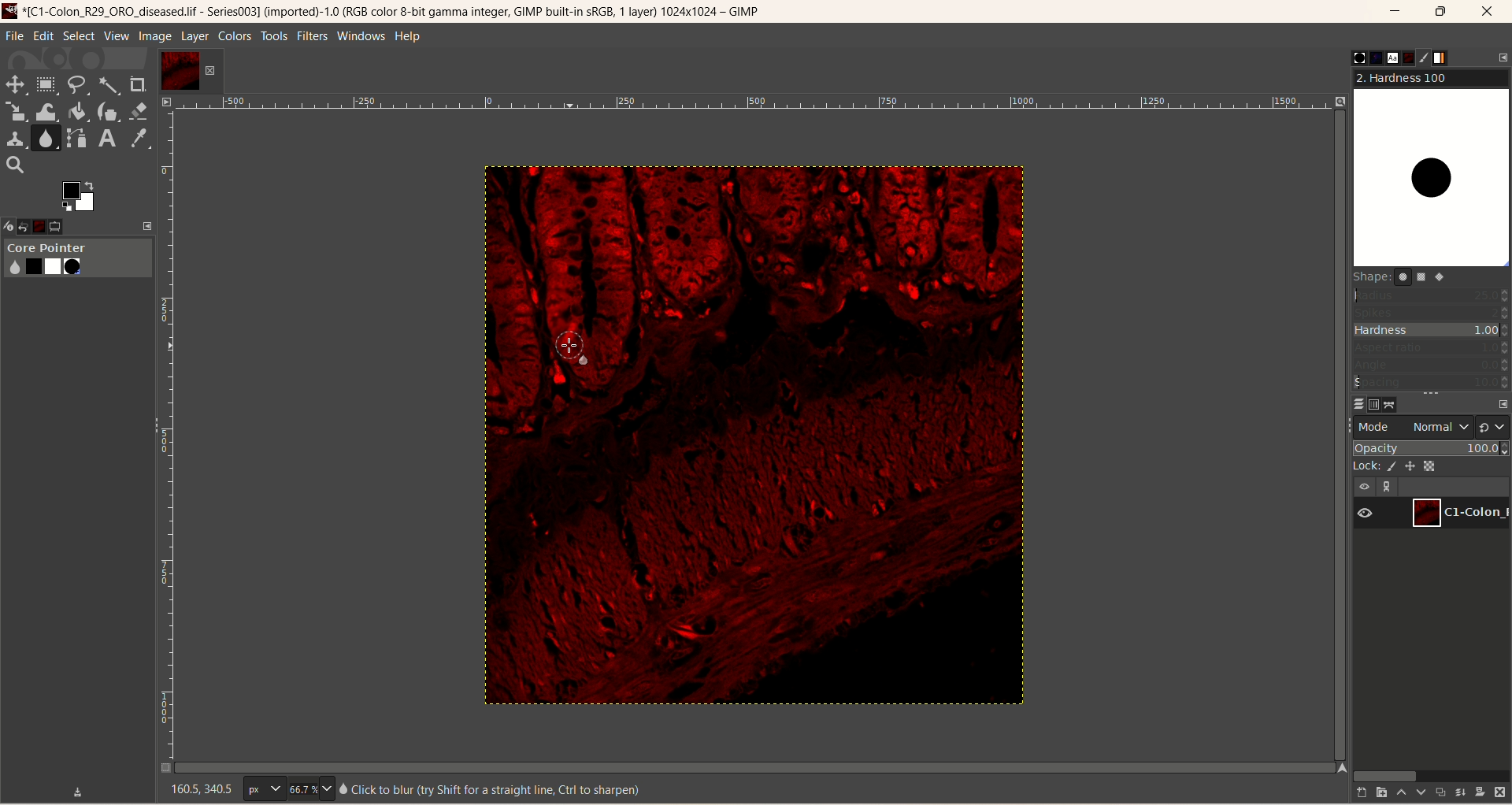  I want to click on help, so click(409, 38).